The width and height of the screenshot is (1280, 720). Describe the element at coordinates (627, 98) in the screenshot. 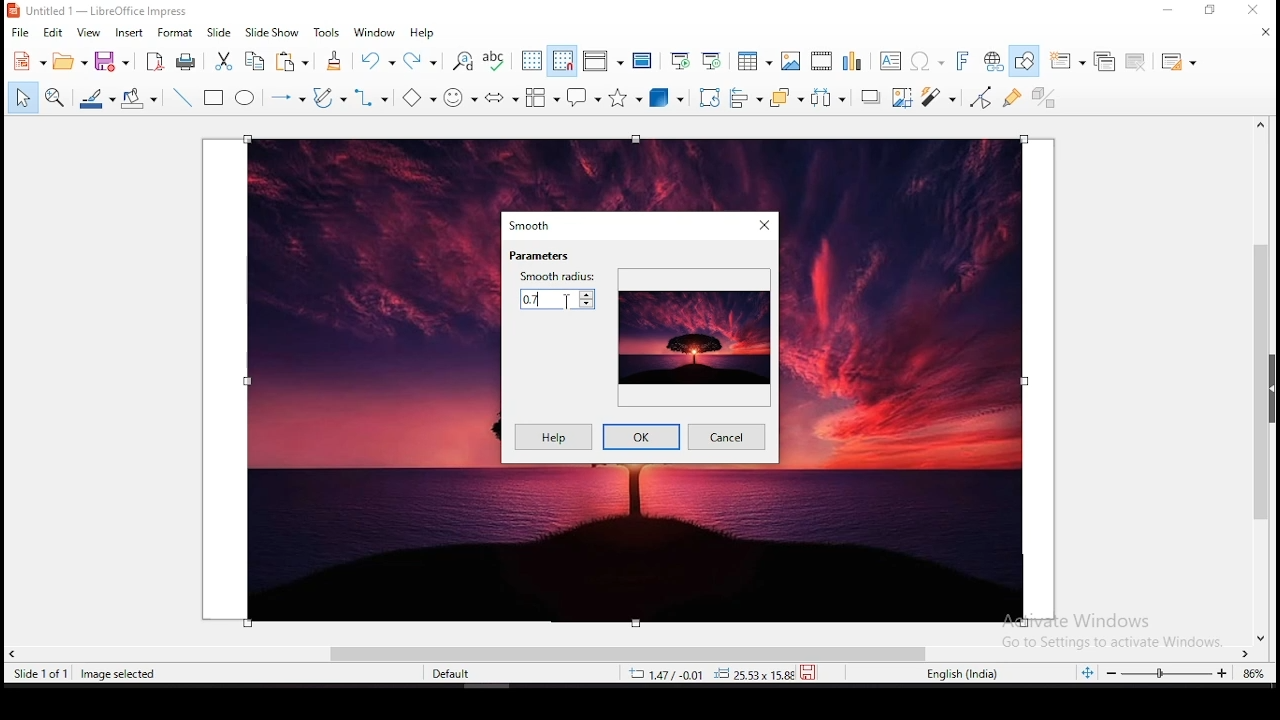

I see `stars and banners` at that location.